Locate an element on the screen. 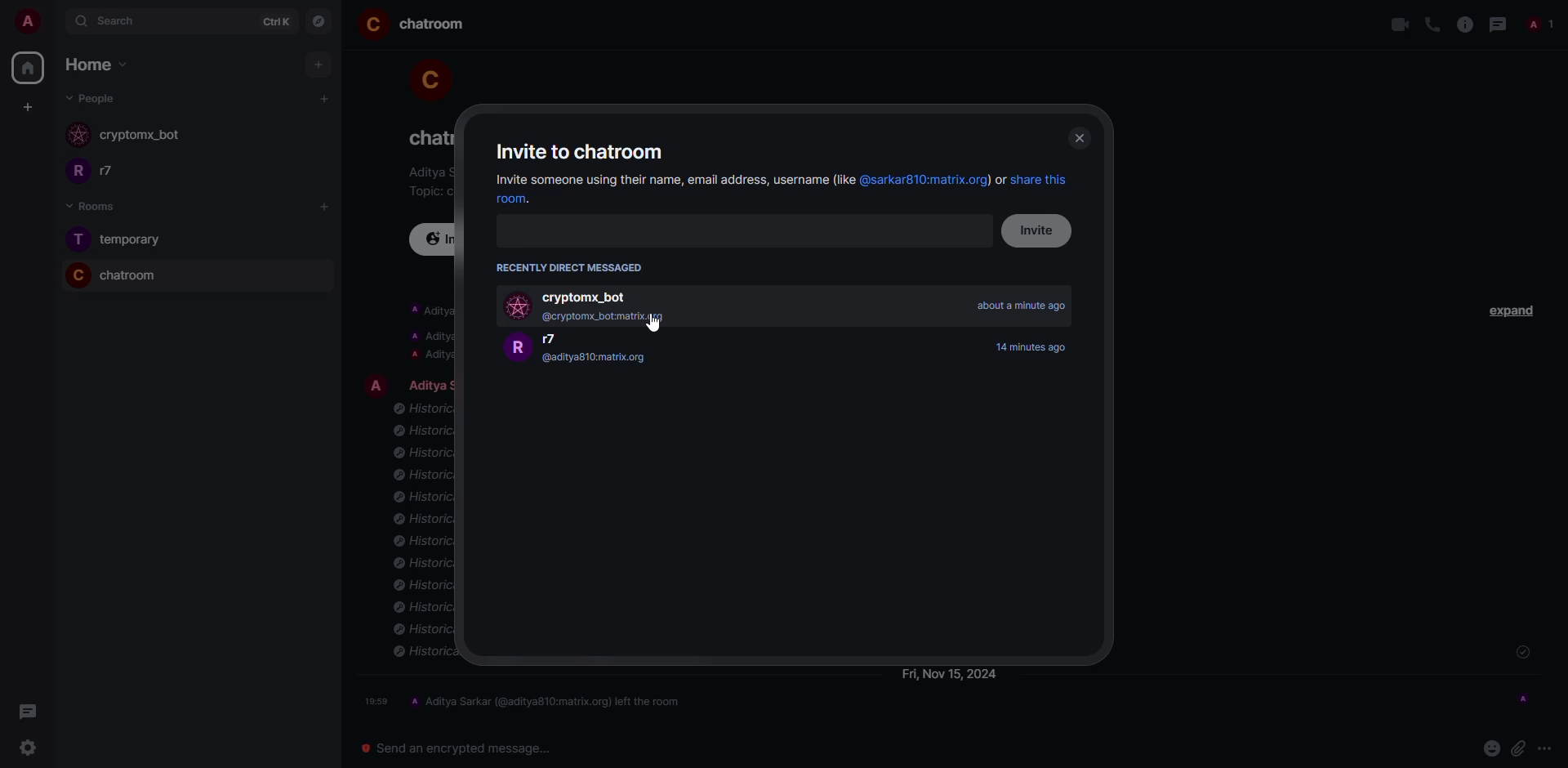  profile is located at coordinates (74, 275).